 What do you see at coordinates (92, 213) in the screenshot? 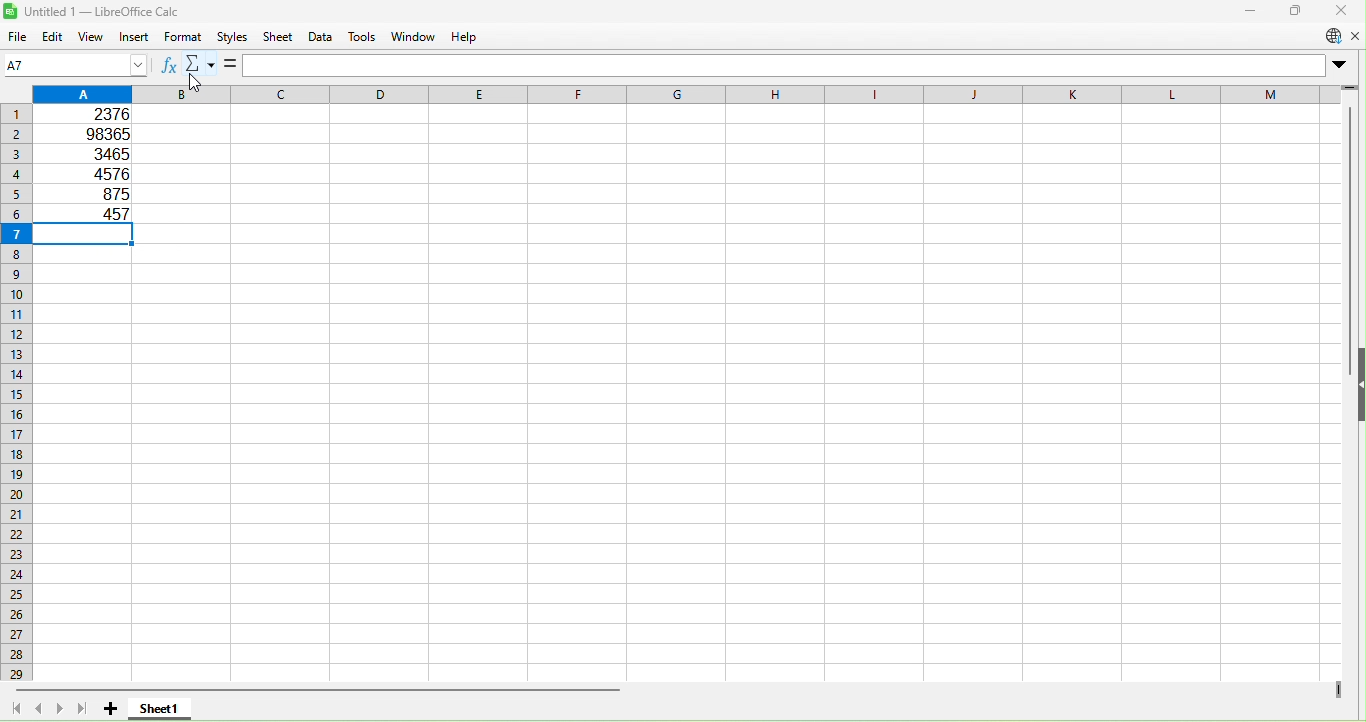
I see `457` at bounding box center [92, 213].